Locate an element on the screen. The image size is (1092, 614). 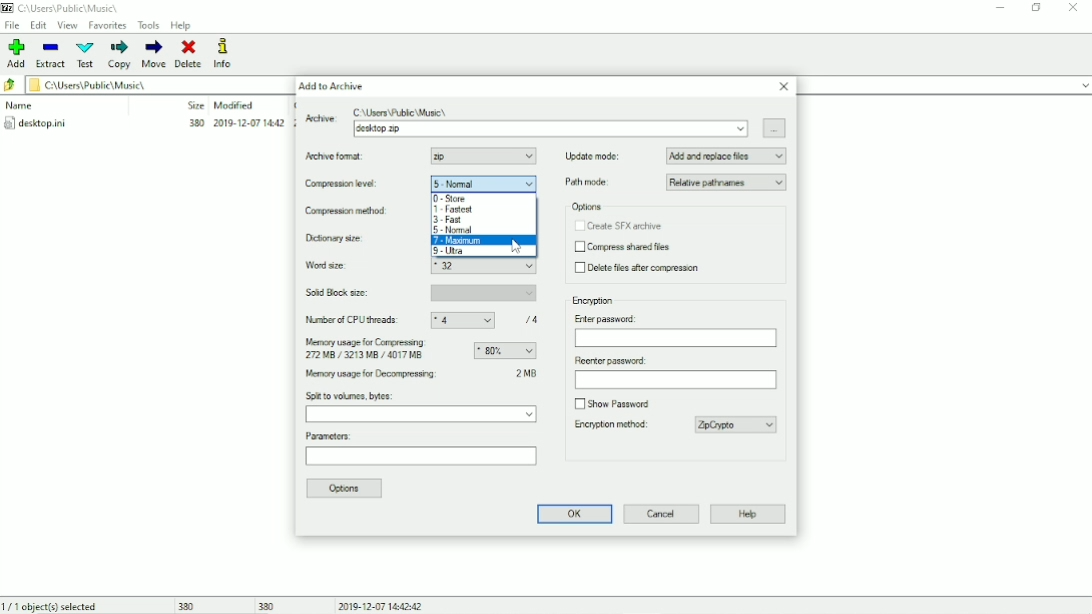
Delete is located at coordinates (189, 54).